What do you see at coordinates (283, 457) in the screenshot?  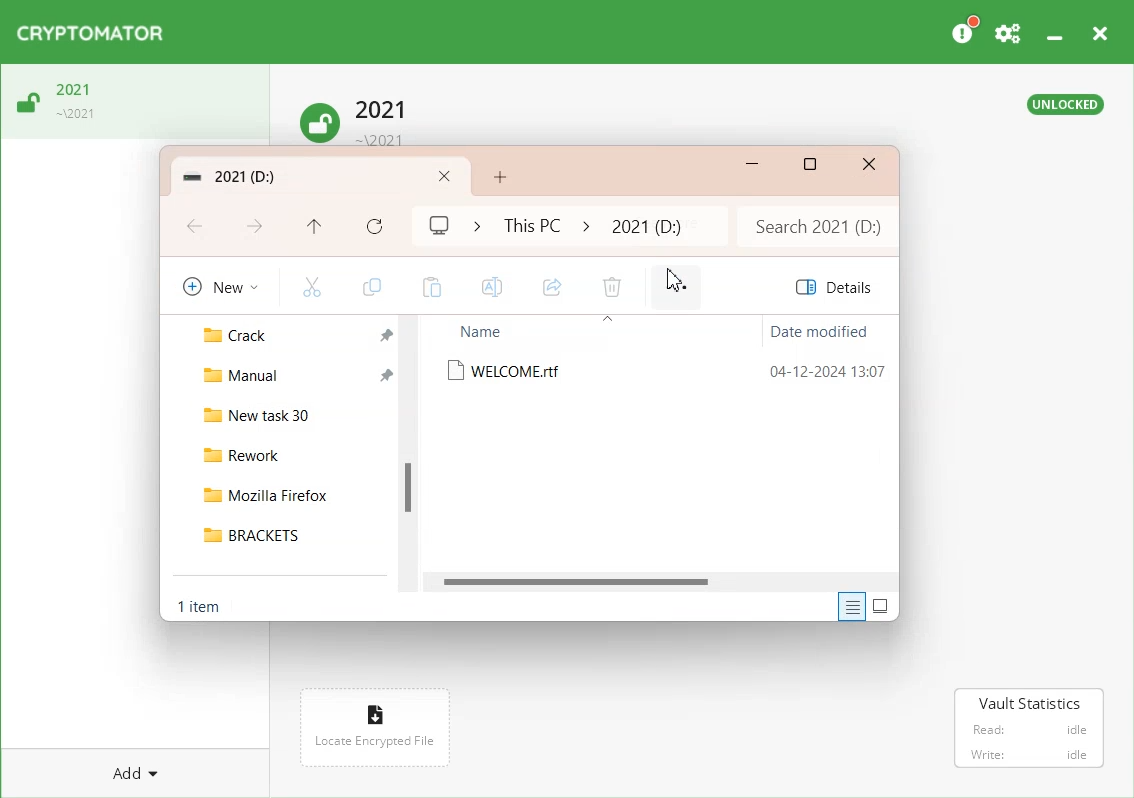 I see `Rework` at bounding box center [283, 457].